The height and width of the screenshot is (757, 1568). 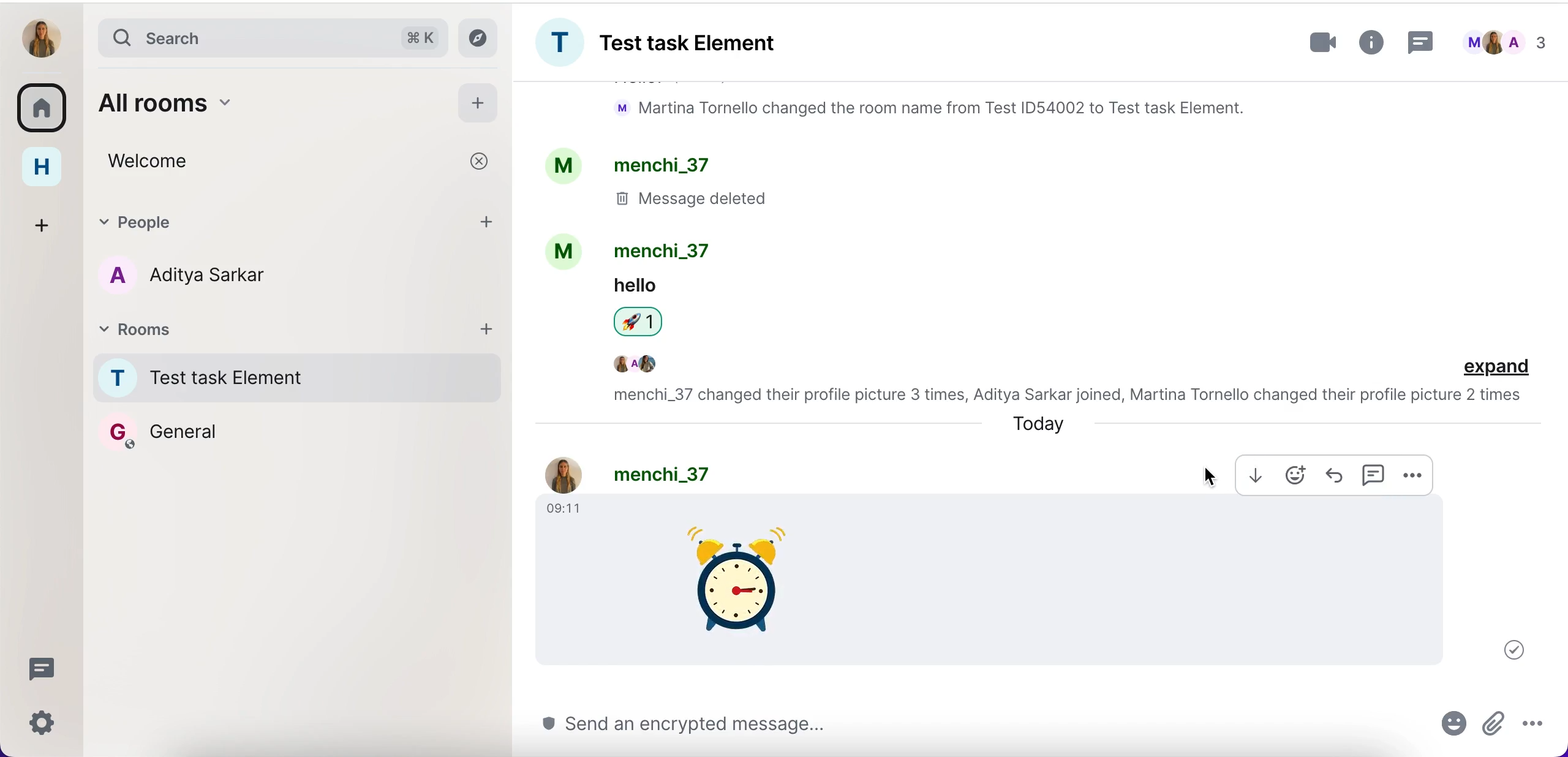 I want to click on home, so click(x=45, y=170).